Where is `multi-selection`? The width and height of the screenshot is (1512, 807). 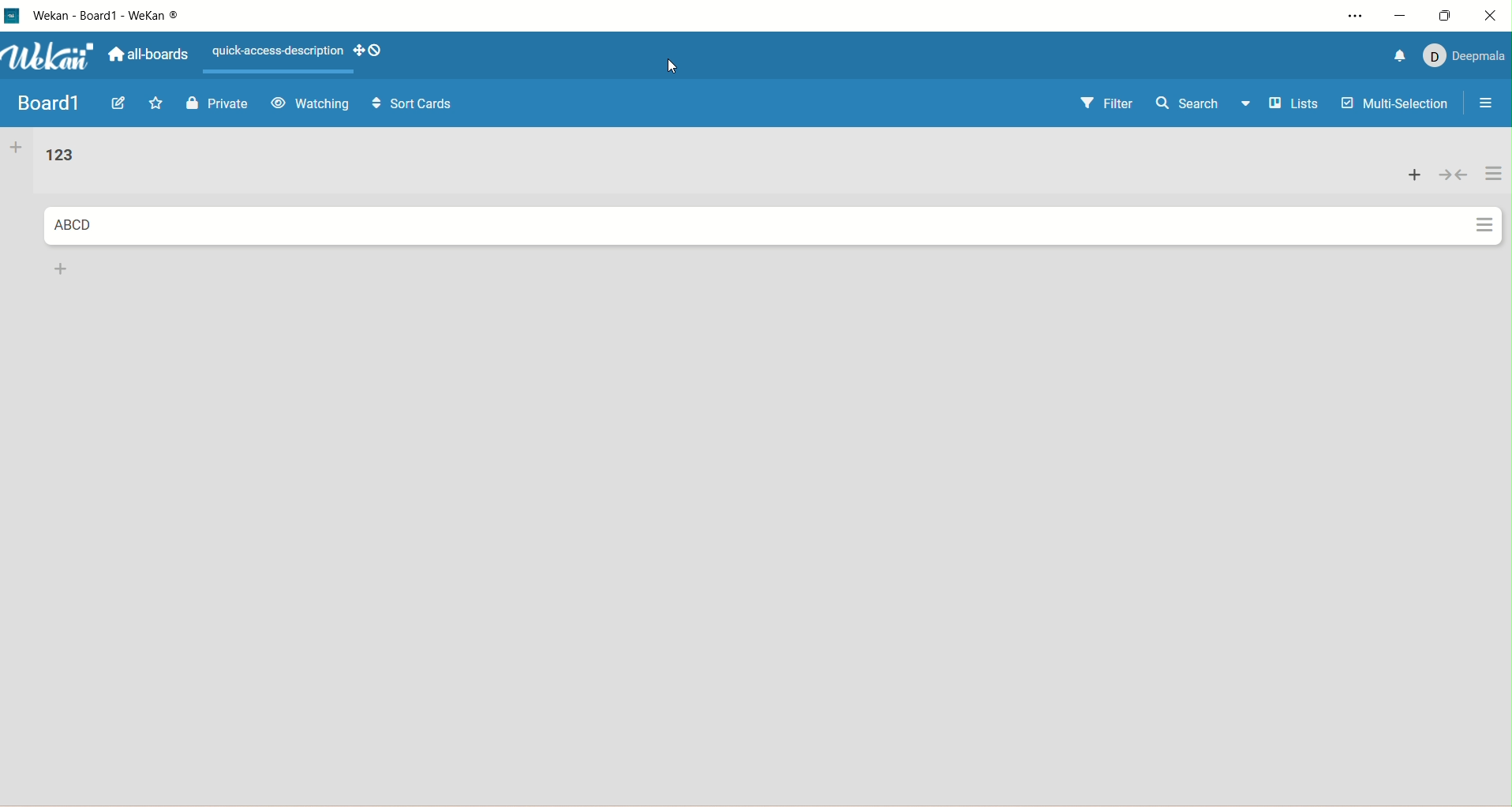 multi-selection is located at coordinates (1396, 106).